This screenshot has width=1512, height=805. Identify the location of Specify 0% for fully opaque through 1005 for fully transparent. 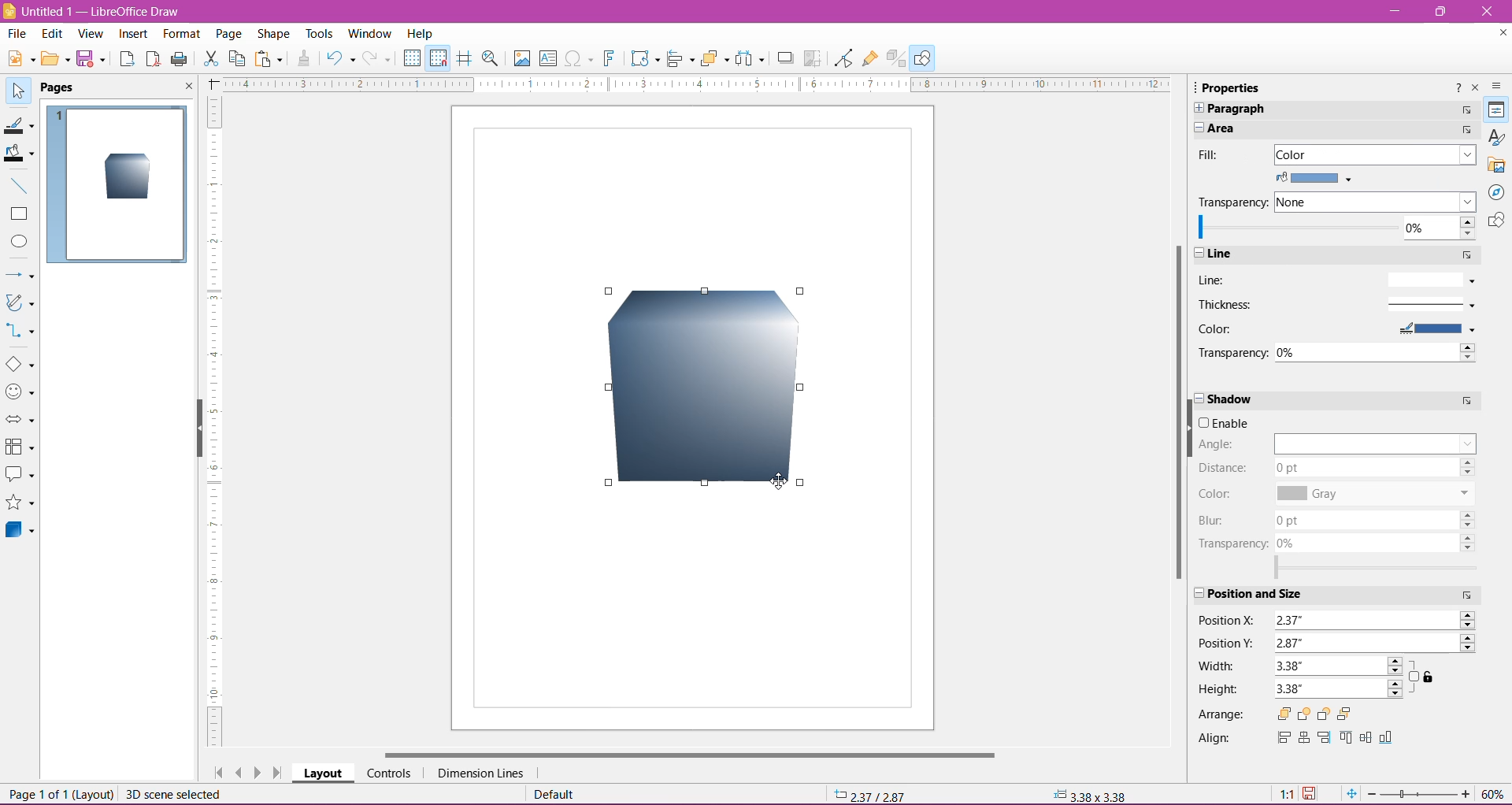
(1336, 228).